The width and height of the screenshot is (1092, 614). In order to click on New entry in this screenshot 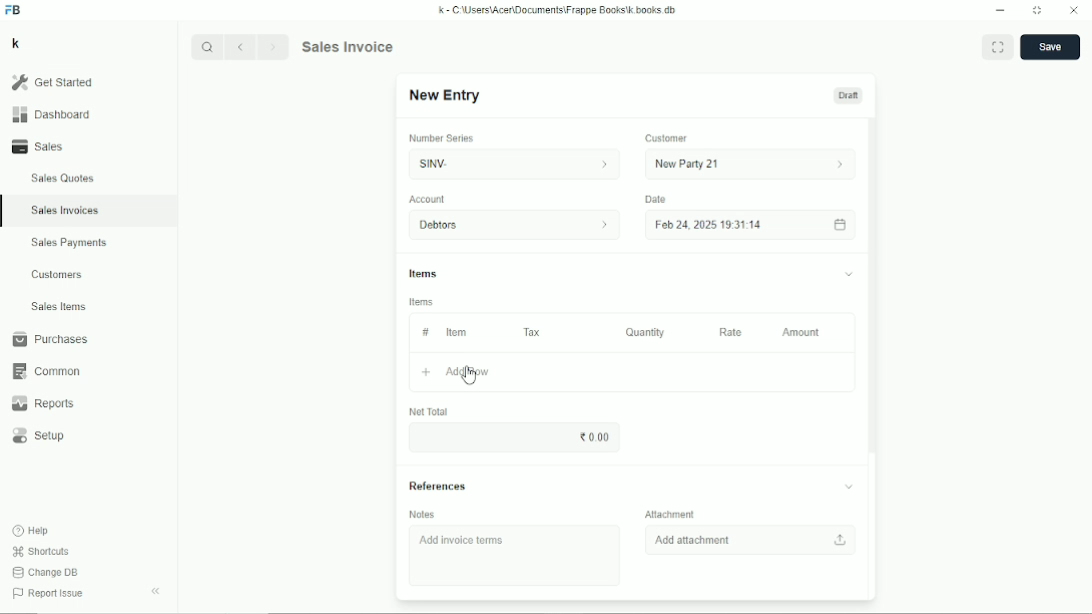, I will do `click(445, 96)`.